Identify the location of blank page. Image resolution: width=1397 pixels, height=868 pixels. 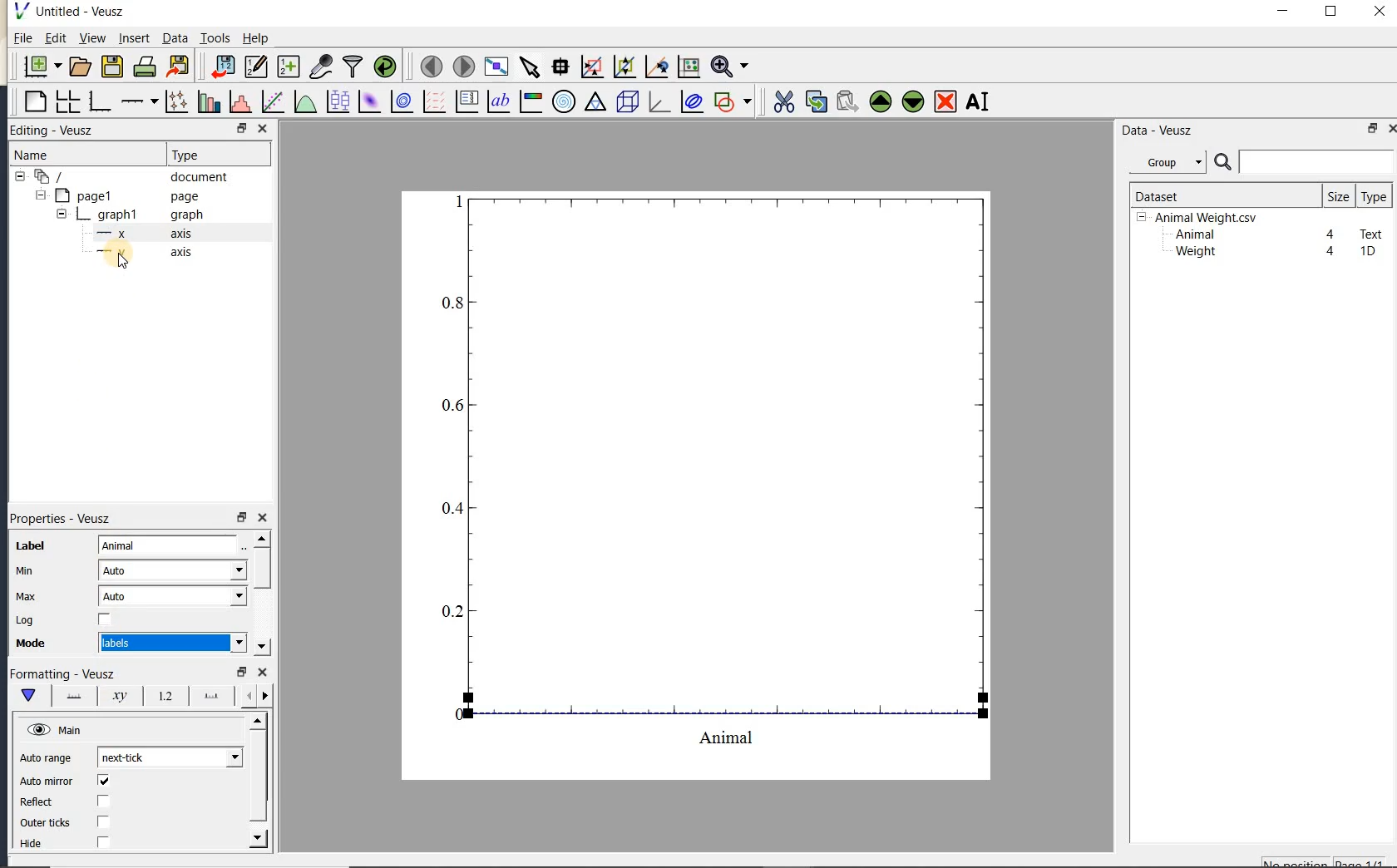
(33, 102).